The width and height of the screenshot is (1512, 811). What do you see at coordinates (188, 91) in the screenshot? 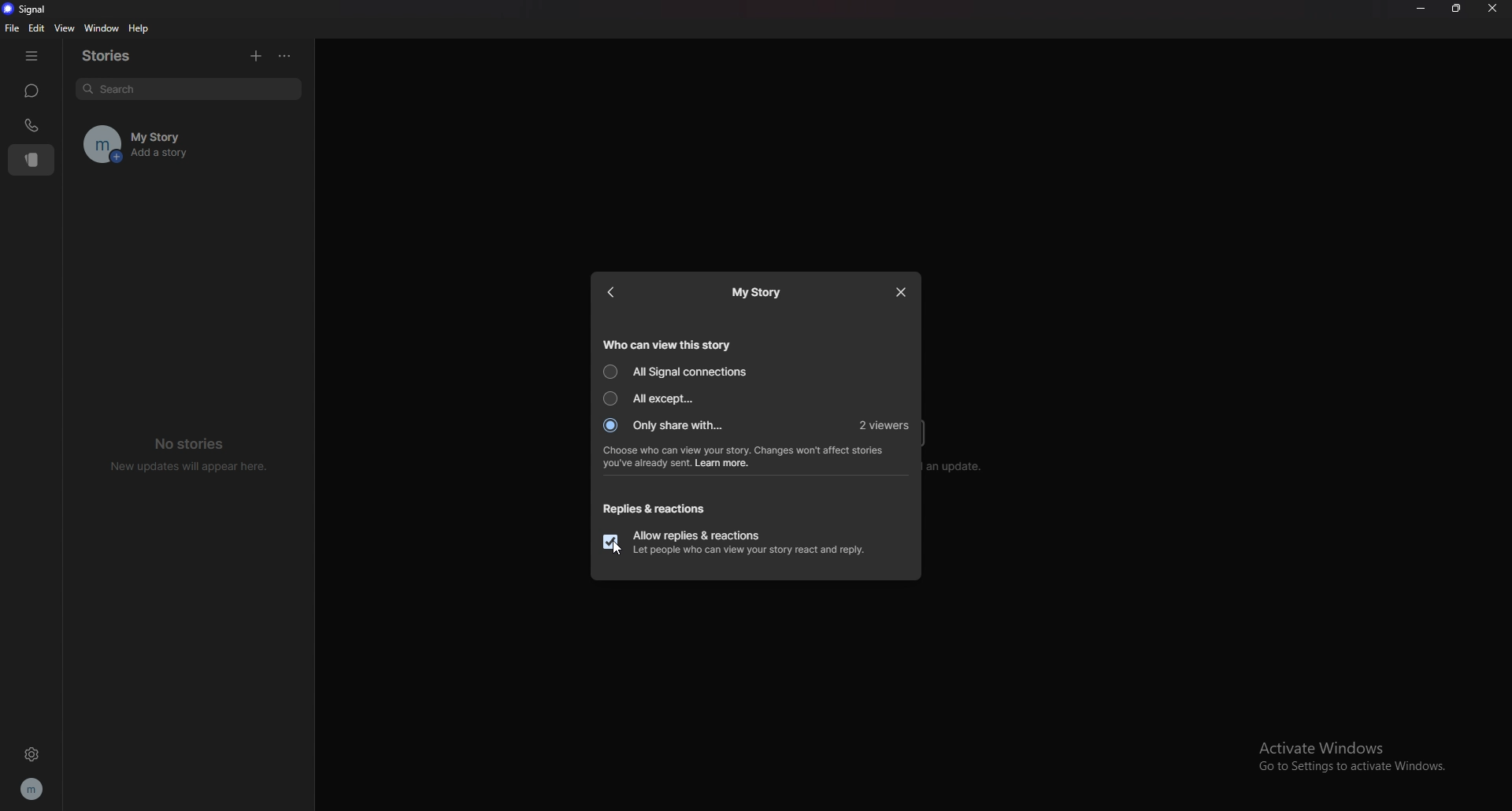
I see `search` at bounding box center [188, 91].